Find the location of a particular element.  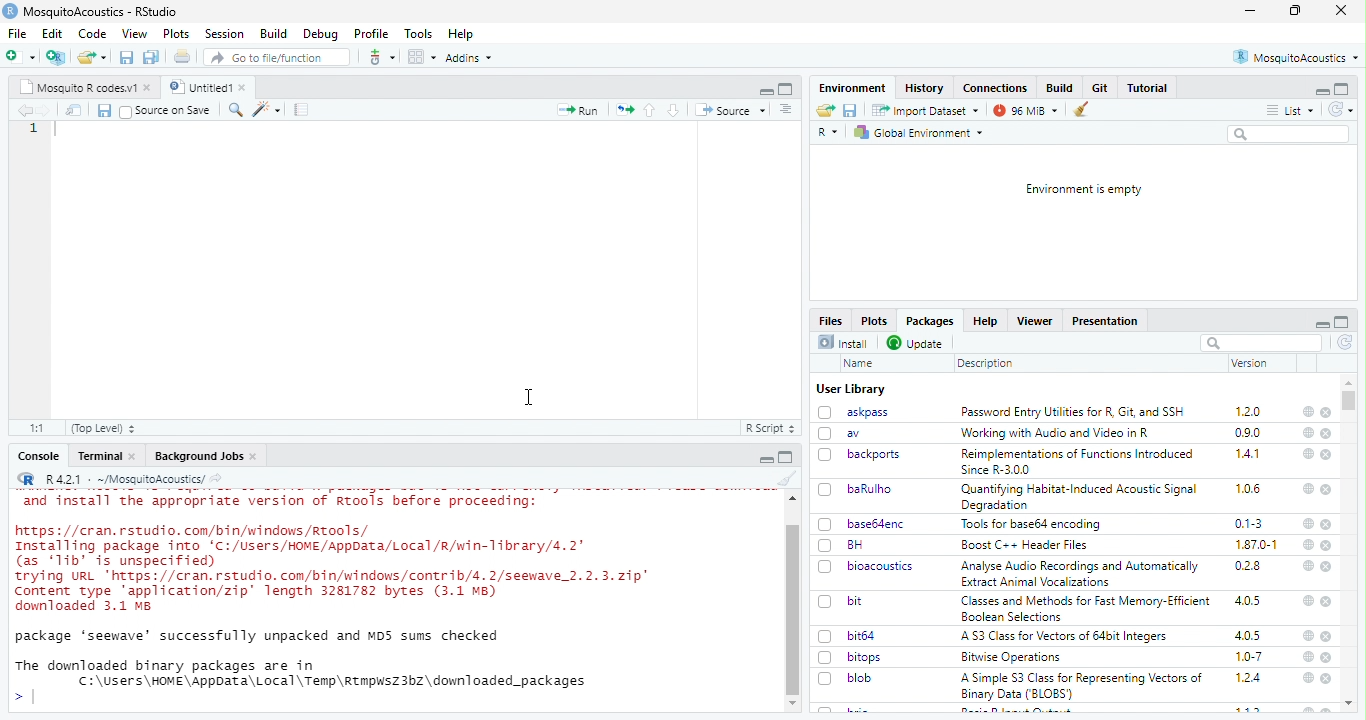

Environment is located at coordinates (854, 88).